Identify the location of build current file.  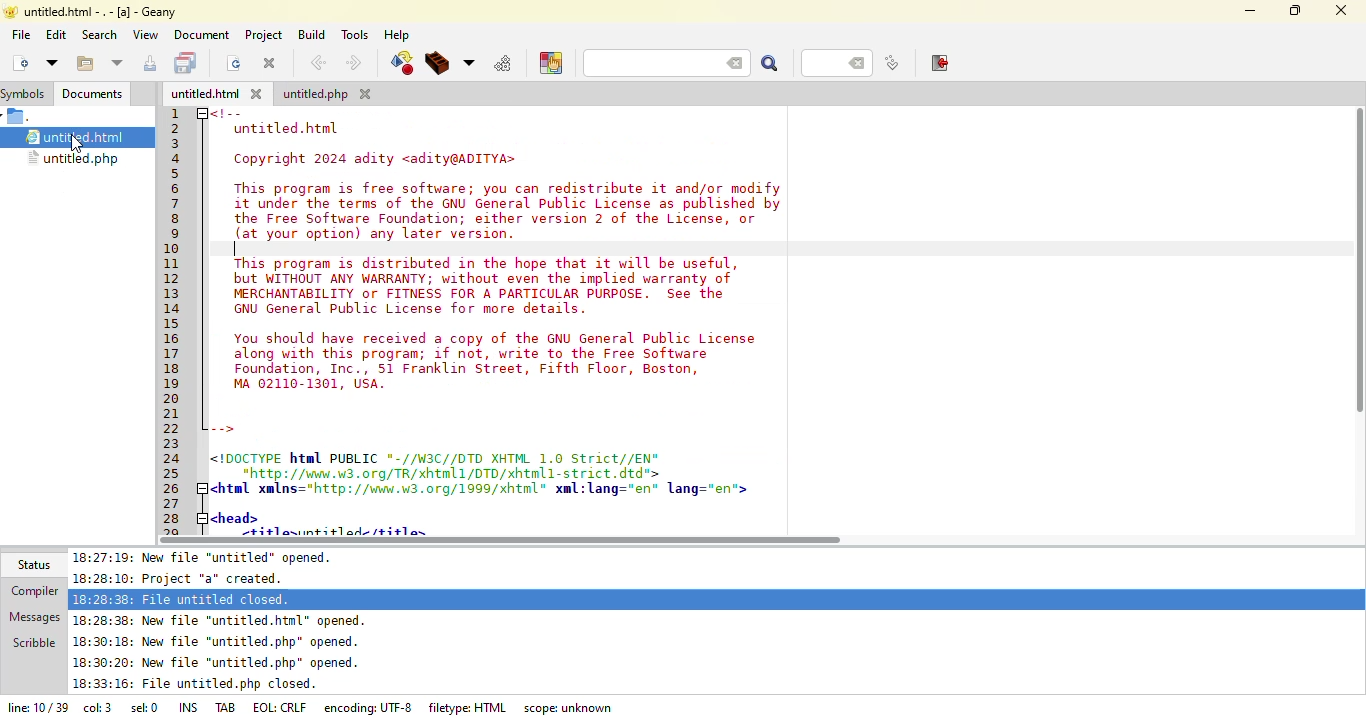
(440, 64).